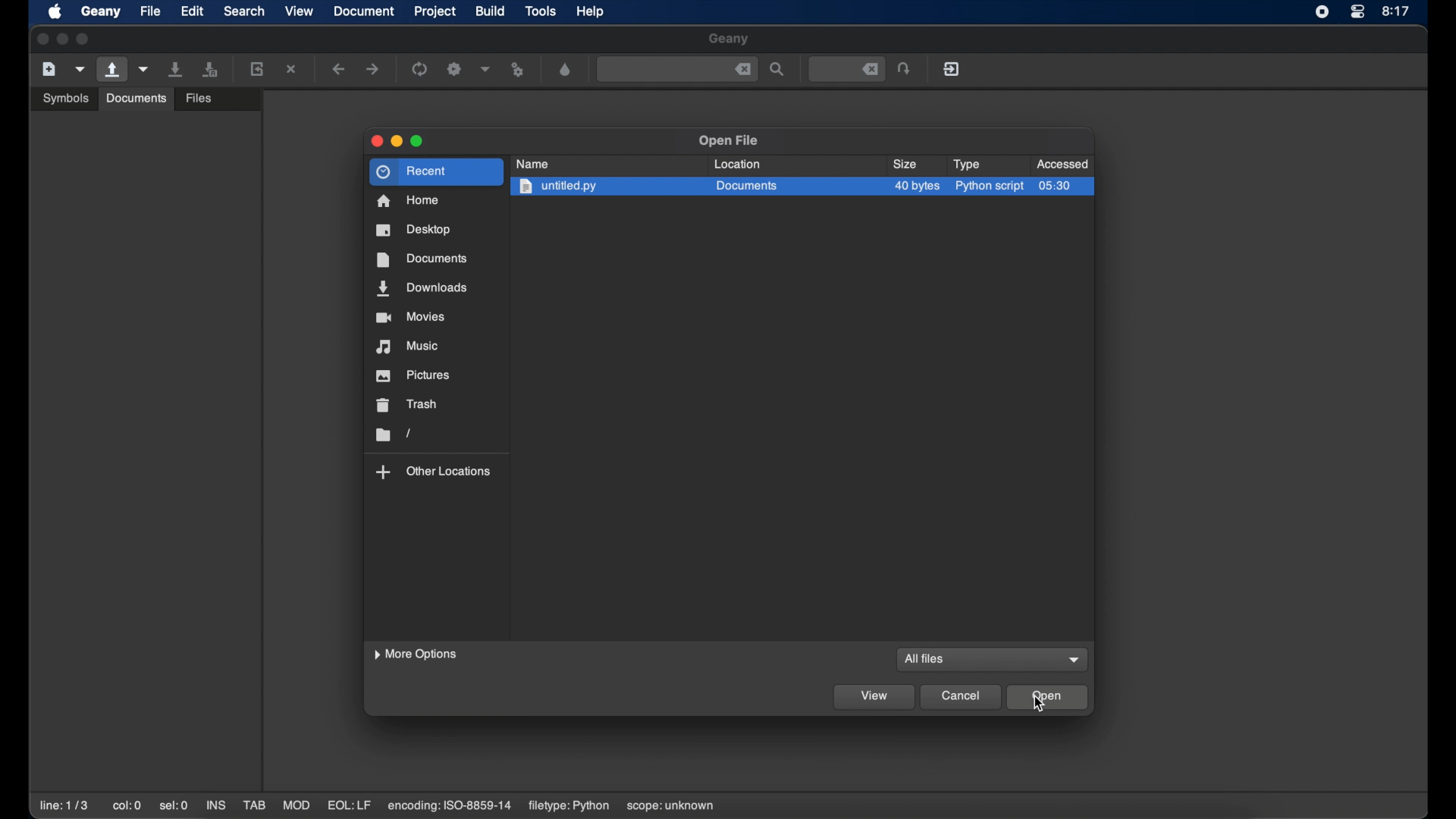 Image resolution: width=1456 pixels, height=819 pixels. I want to click on open an existing file, so click(112, 70).